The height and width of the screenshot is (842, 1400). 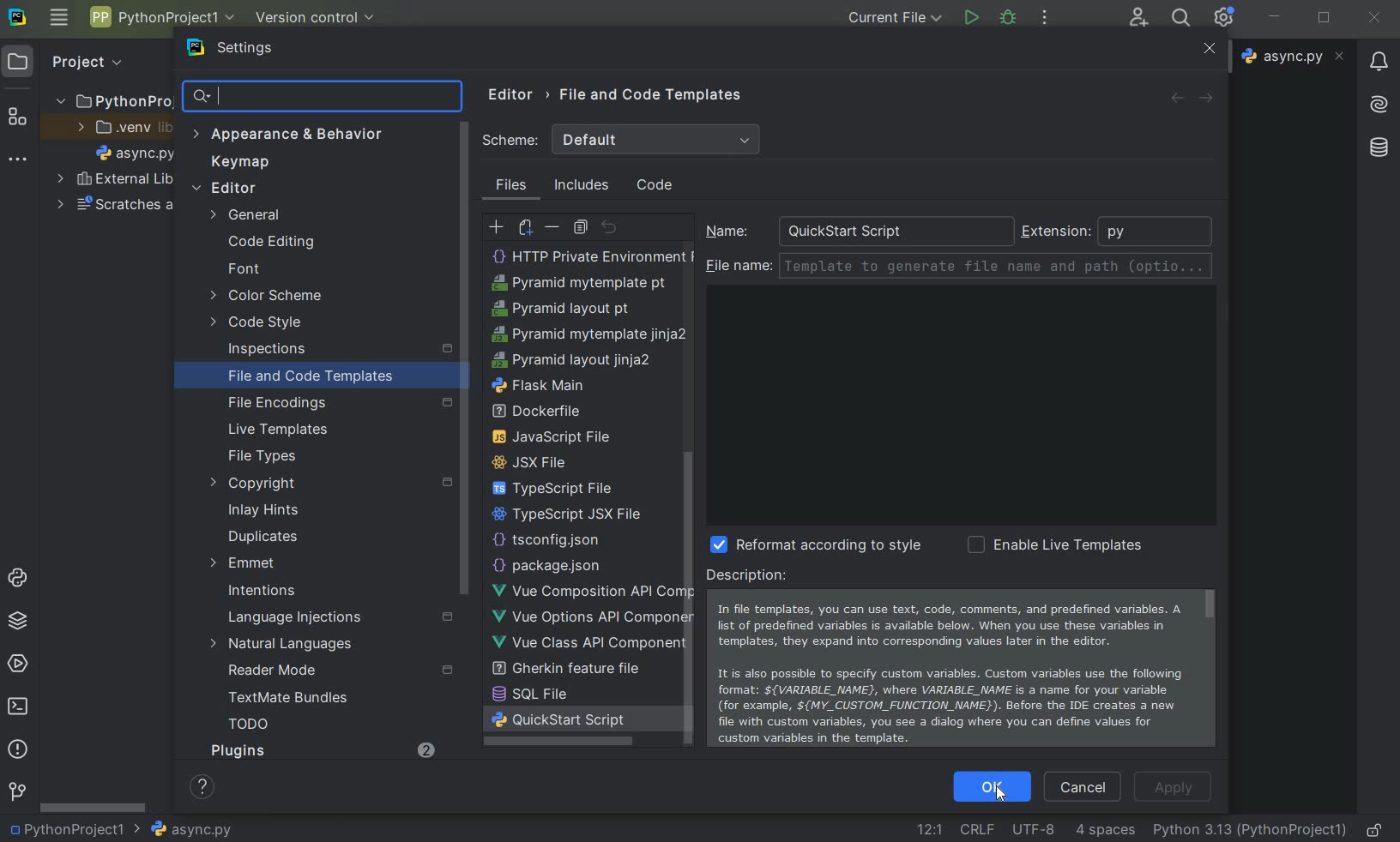 What do you see at coordinates (329, 375) in the screenshot?
I see `file and code templates` at bounding box center [329, 375].